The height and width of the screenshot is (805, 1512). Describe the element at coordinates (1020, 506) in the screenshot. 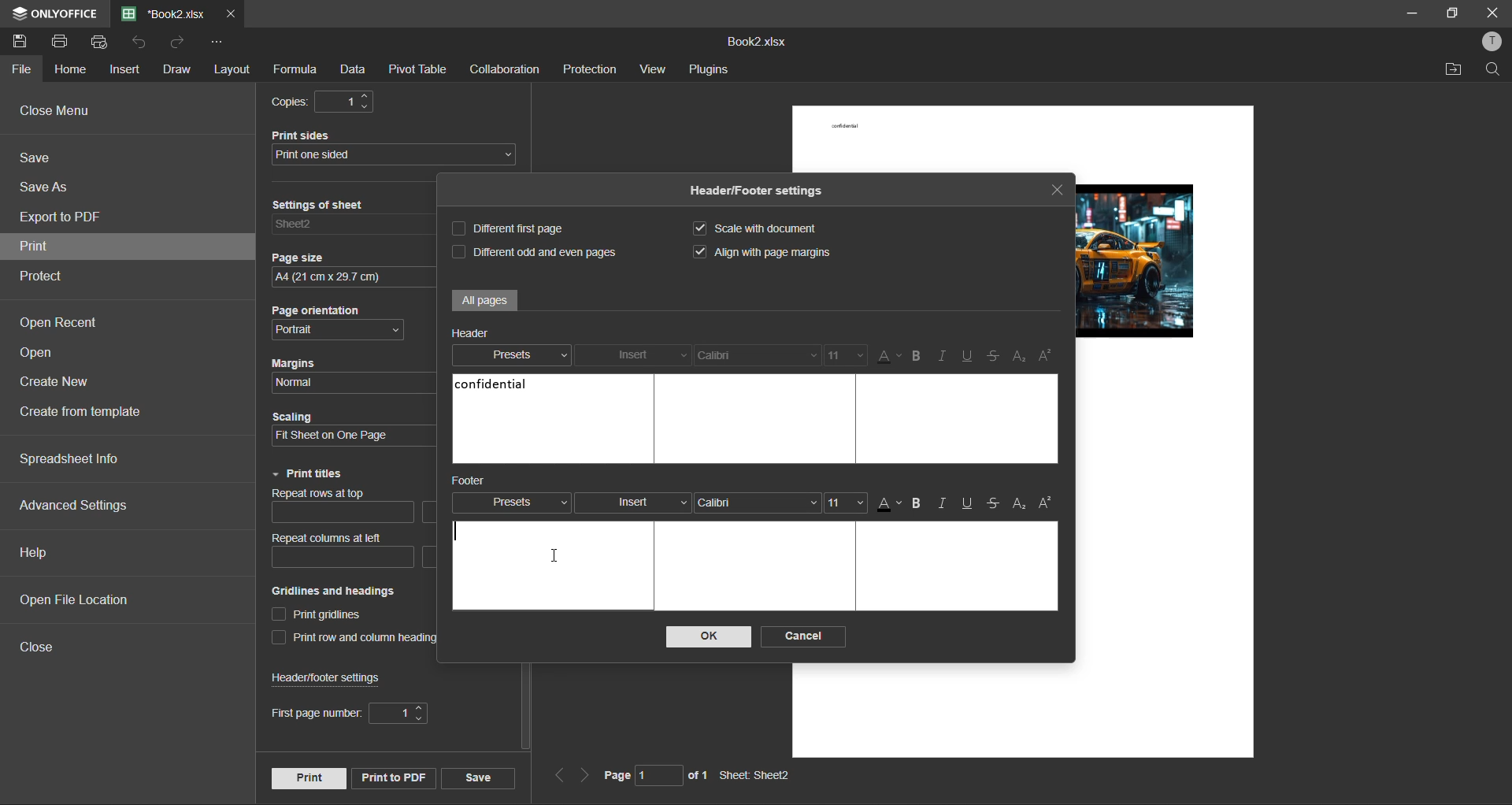

I see `subscript` at that location.